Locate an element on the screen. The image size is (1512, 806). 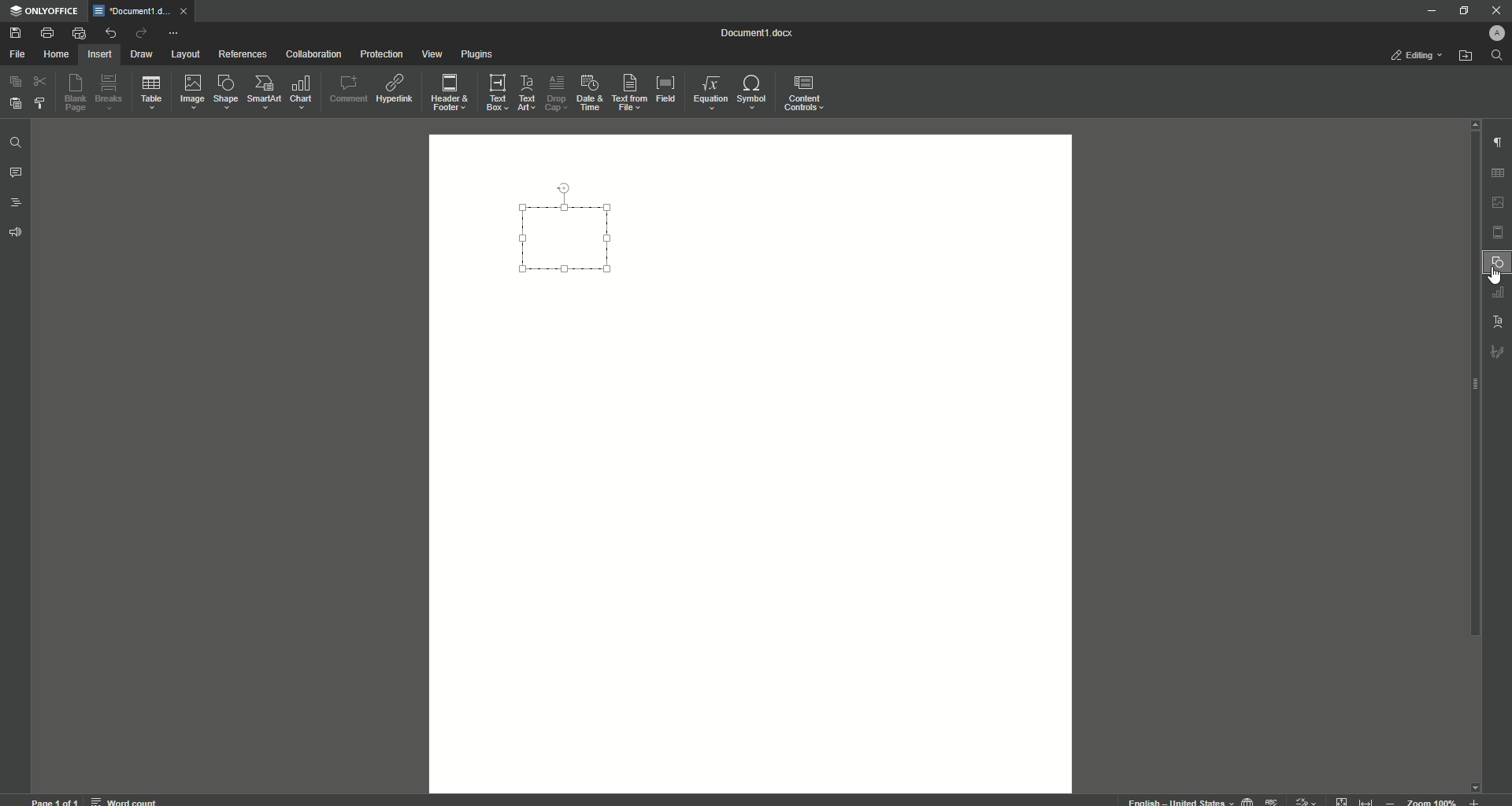
Equation is located at coordinates (706, 91).